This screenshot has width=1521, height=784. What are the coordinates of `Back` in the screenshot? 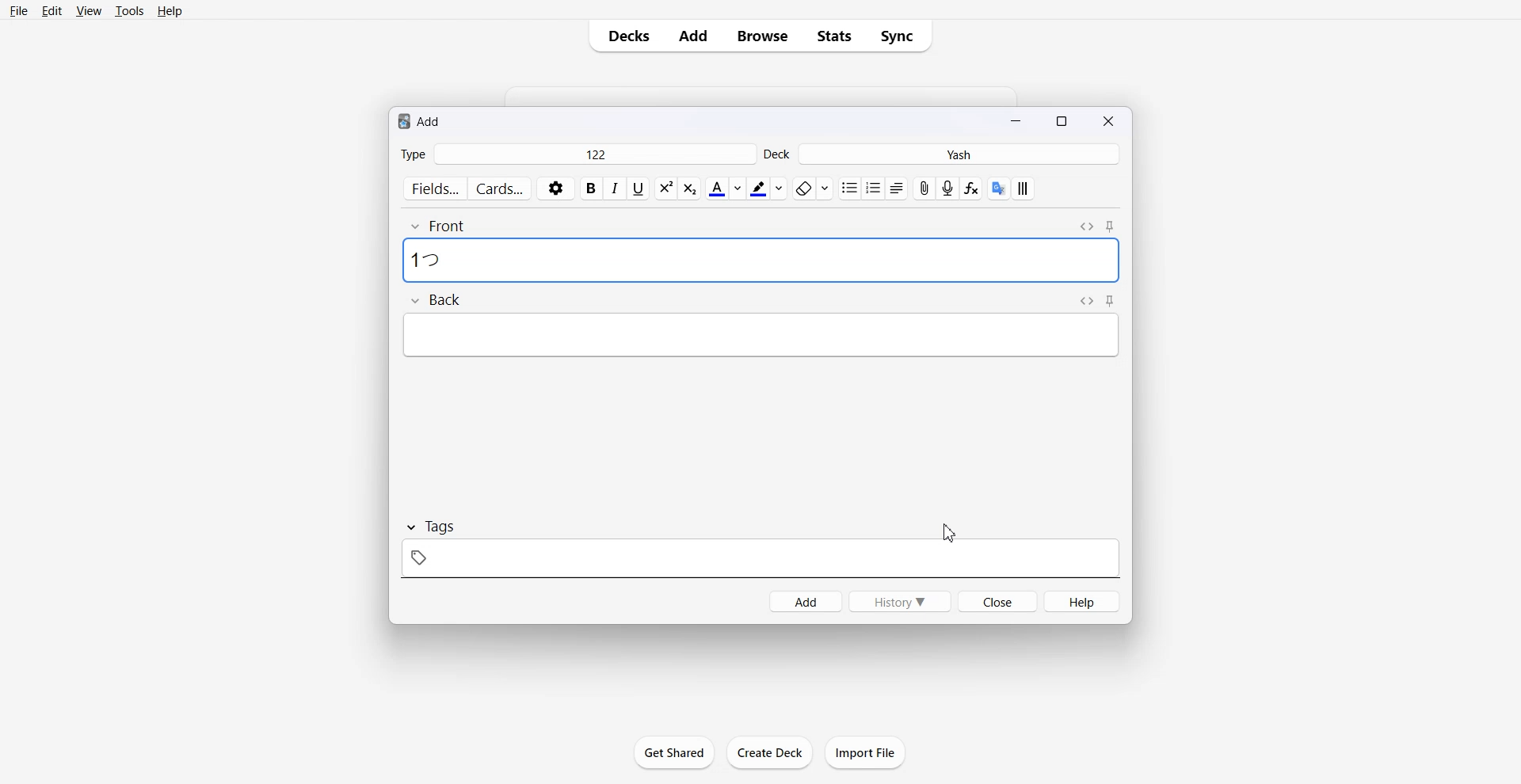 It's located at (435, 301).